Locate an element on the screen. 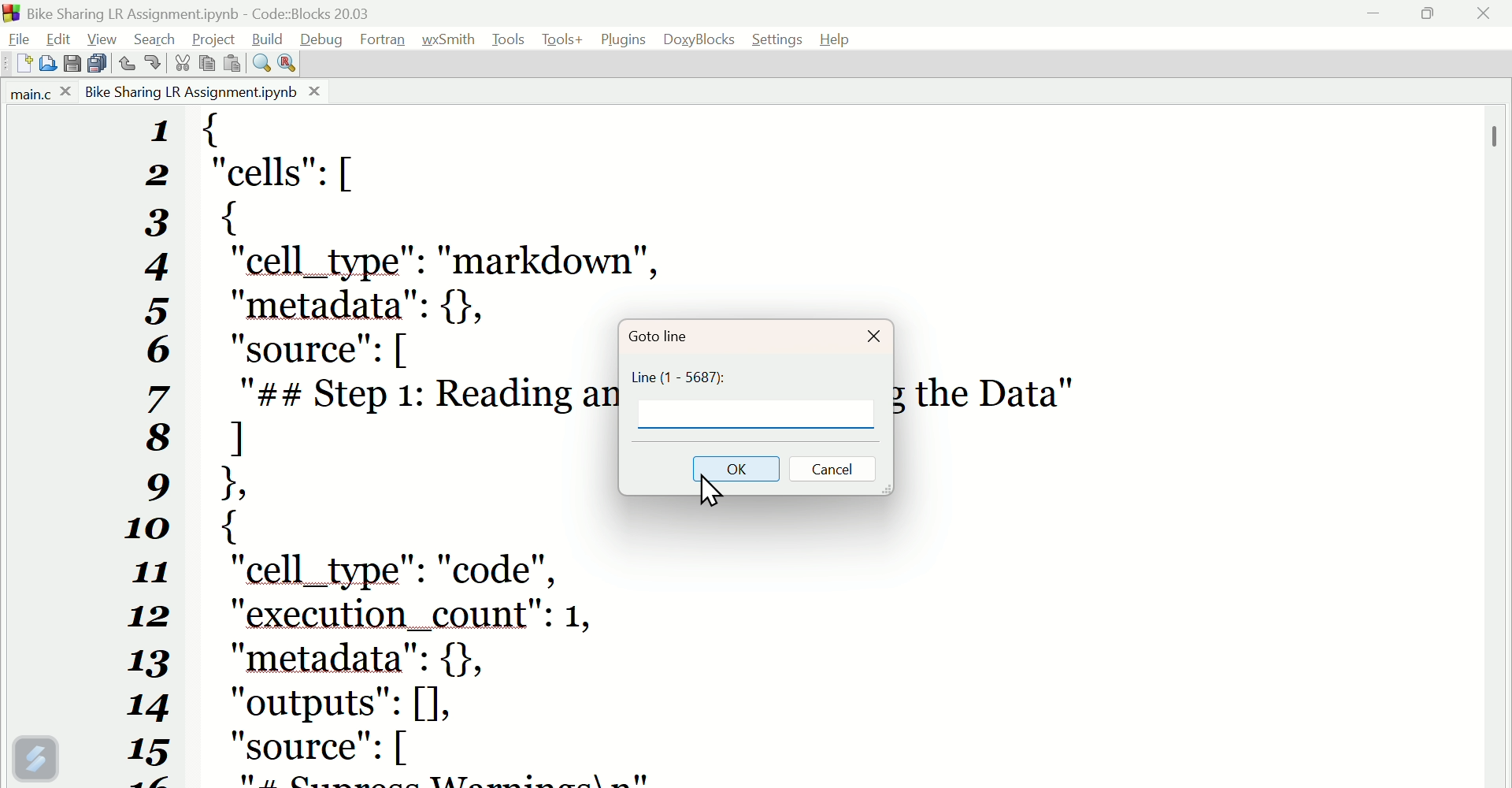  Tools is located at coordinates (561, 39).